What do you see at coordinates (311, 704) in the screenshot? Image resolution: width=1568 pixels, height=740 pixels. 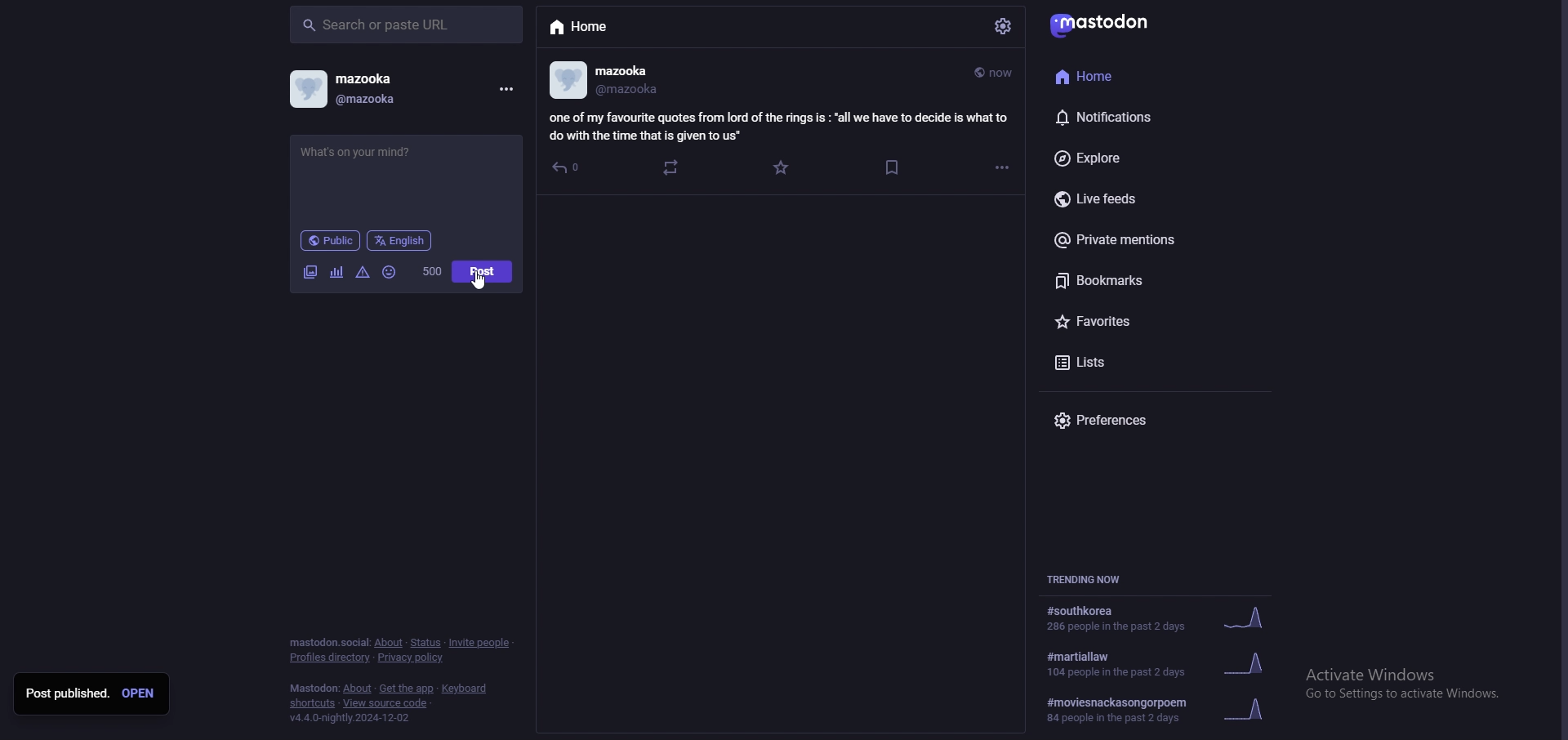 I see `shortcuts` at bounding box center [311, 704].